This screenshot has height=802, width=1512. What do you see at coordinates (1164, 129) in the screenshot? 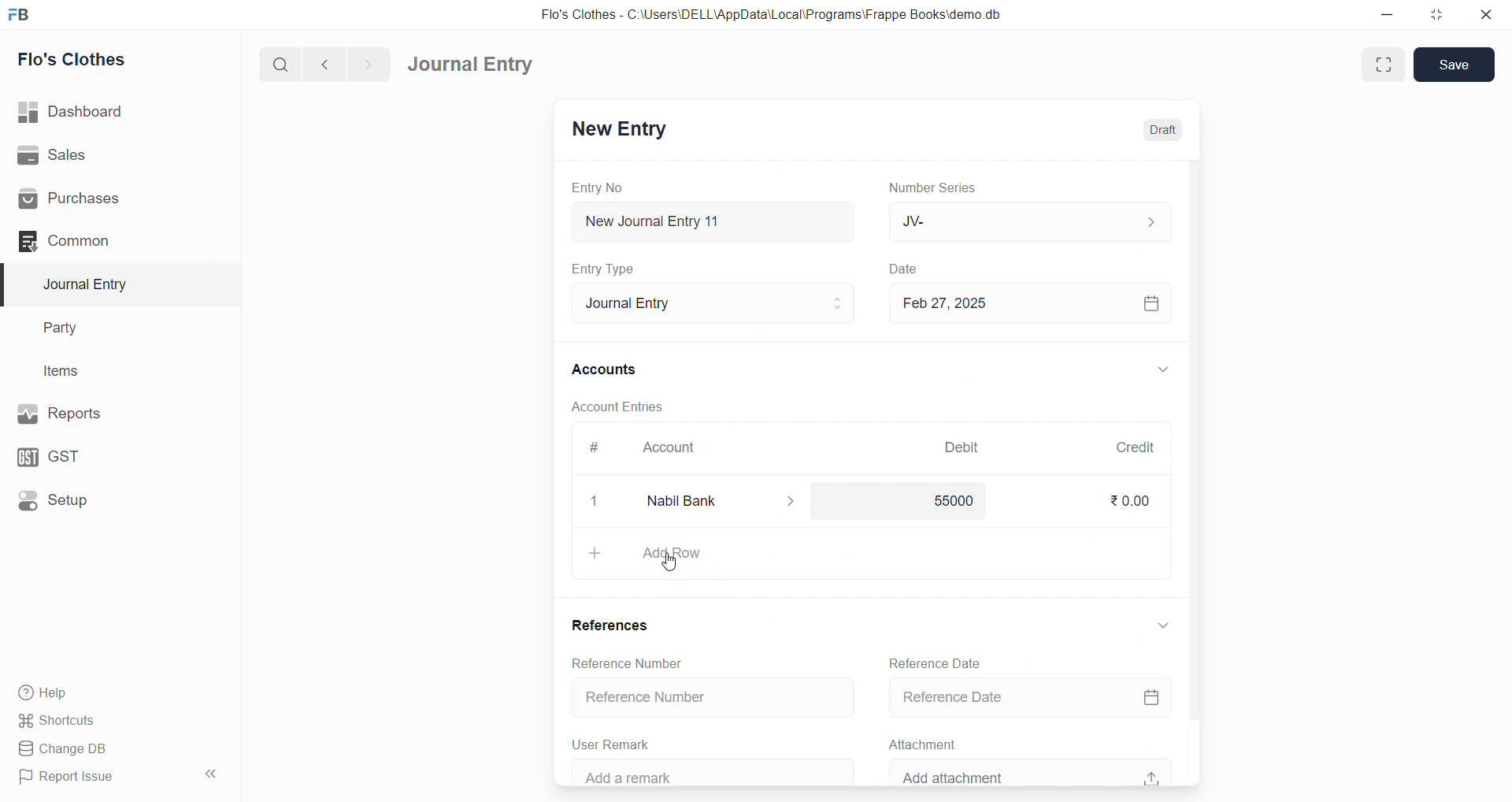
I see `Draft` at bounding box center [1164, 129].